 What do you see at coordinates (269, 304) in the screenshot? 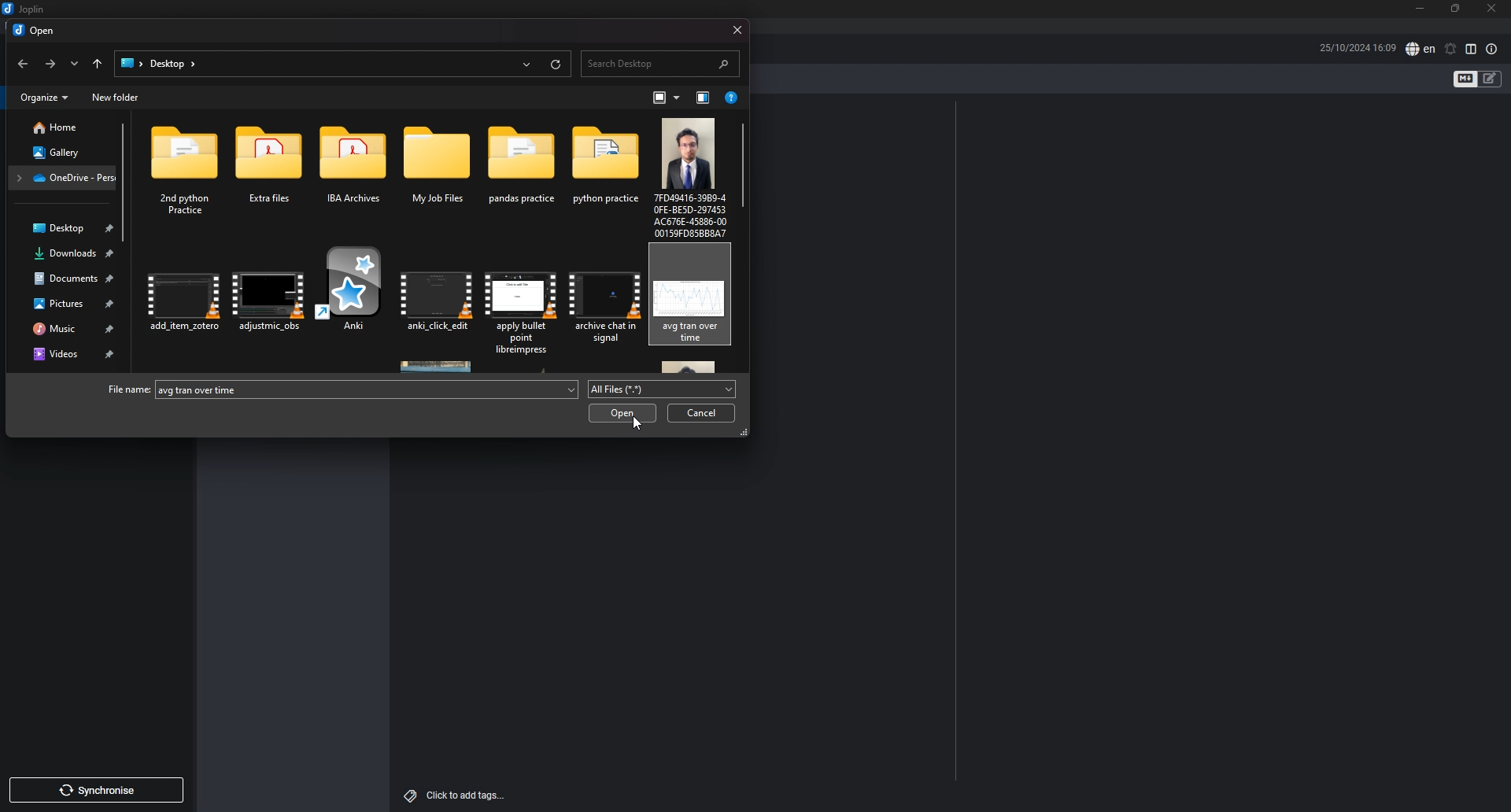
I see `adjustment_abs` at bounding box center [269, 304].